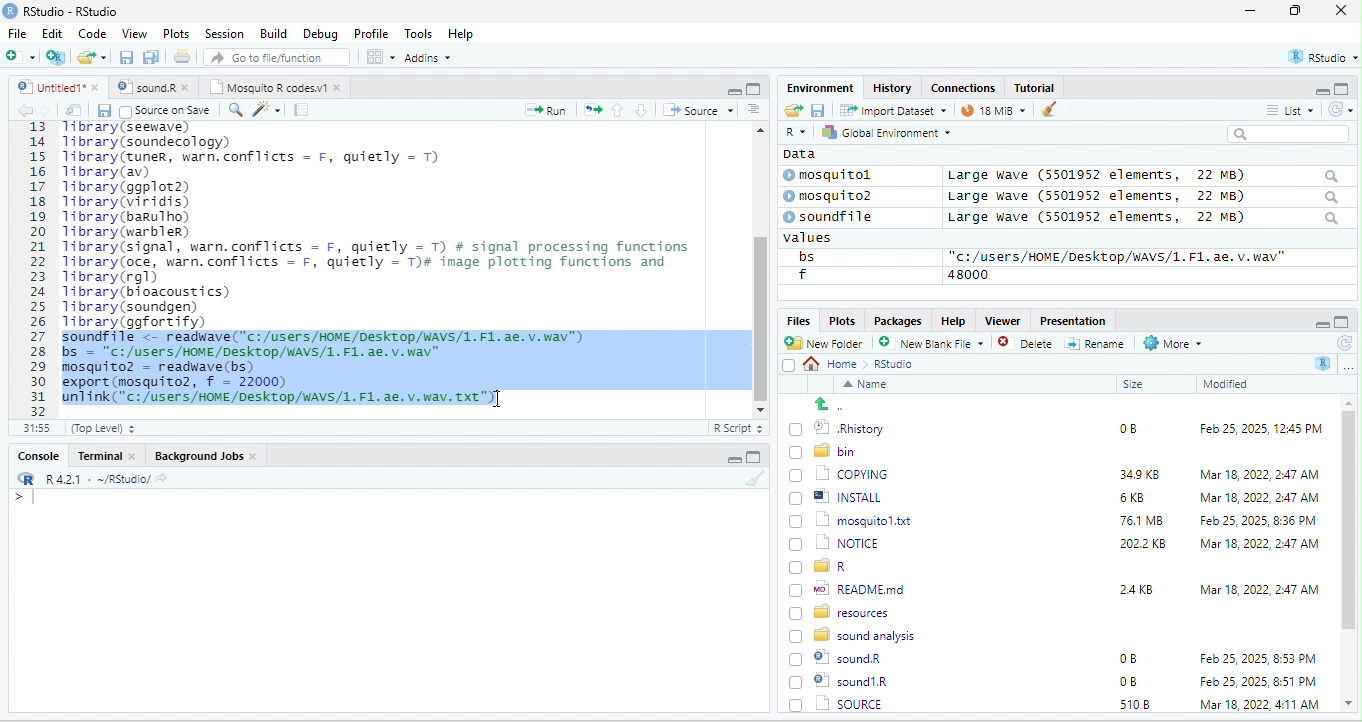  Describe the element at coordinates (891, 109) in the screenshot. I see `# import Dataset` at that location.